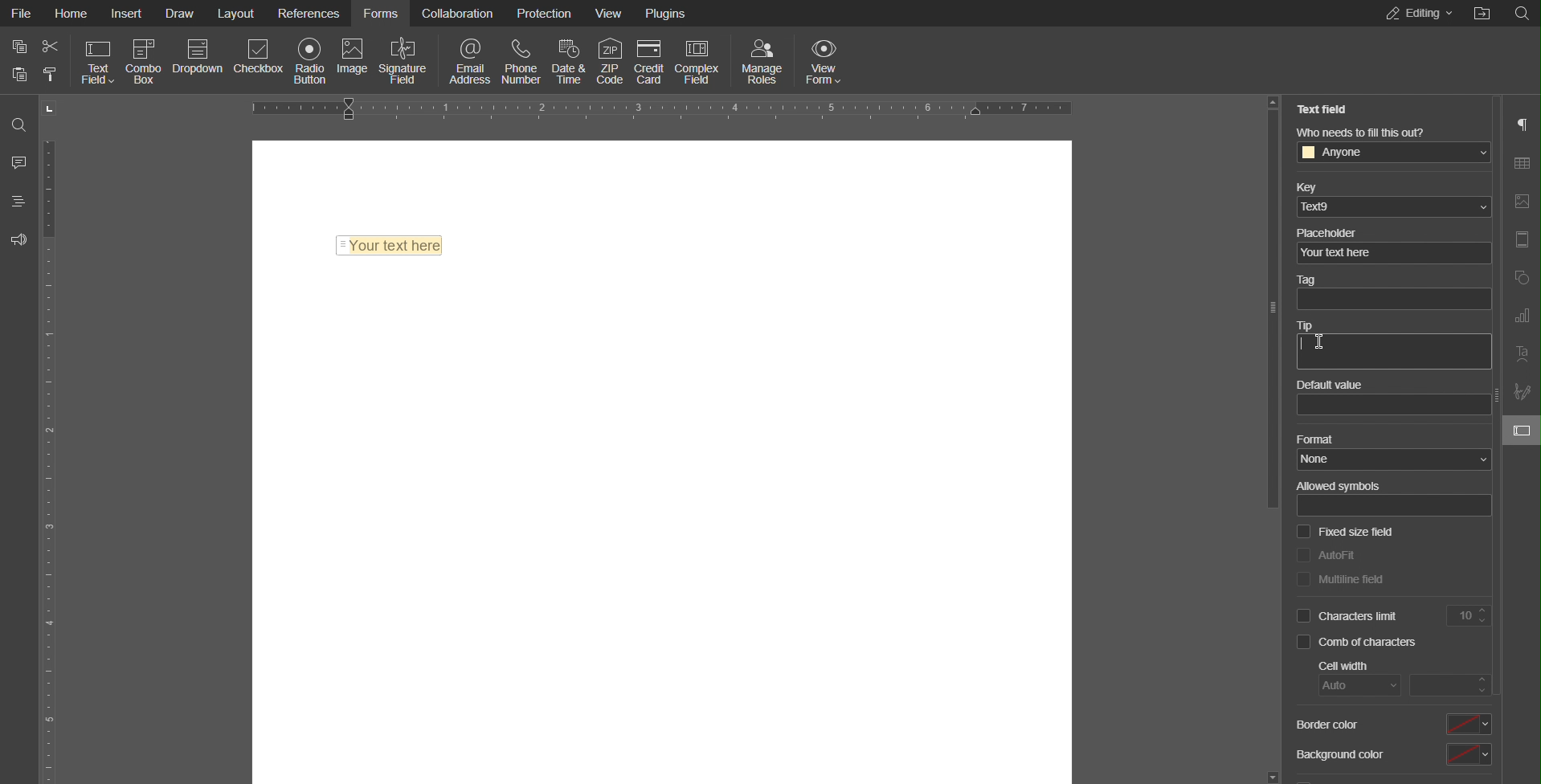  I want to click on References, so click(309, 14).